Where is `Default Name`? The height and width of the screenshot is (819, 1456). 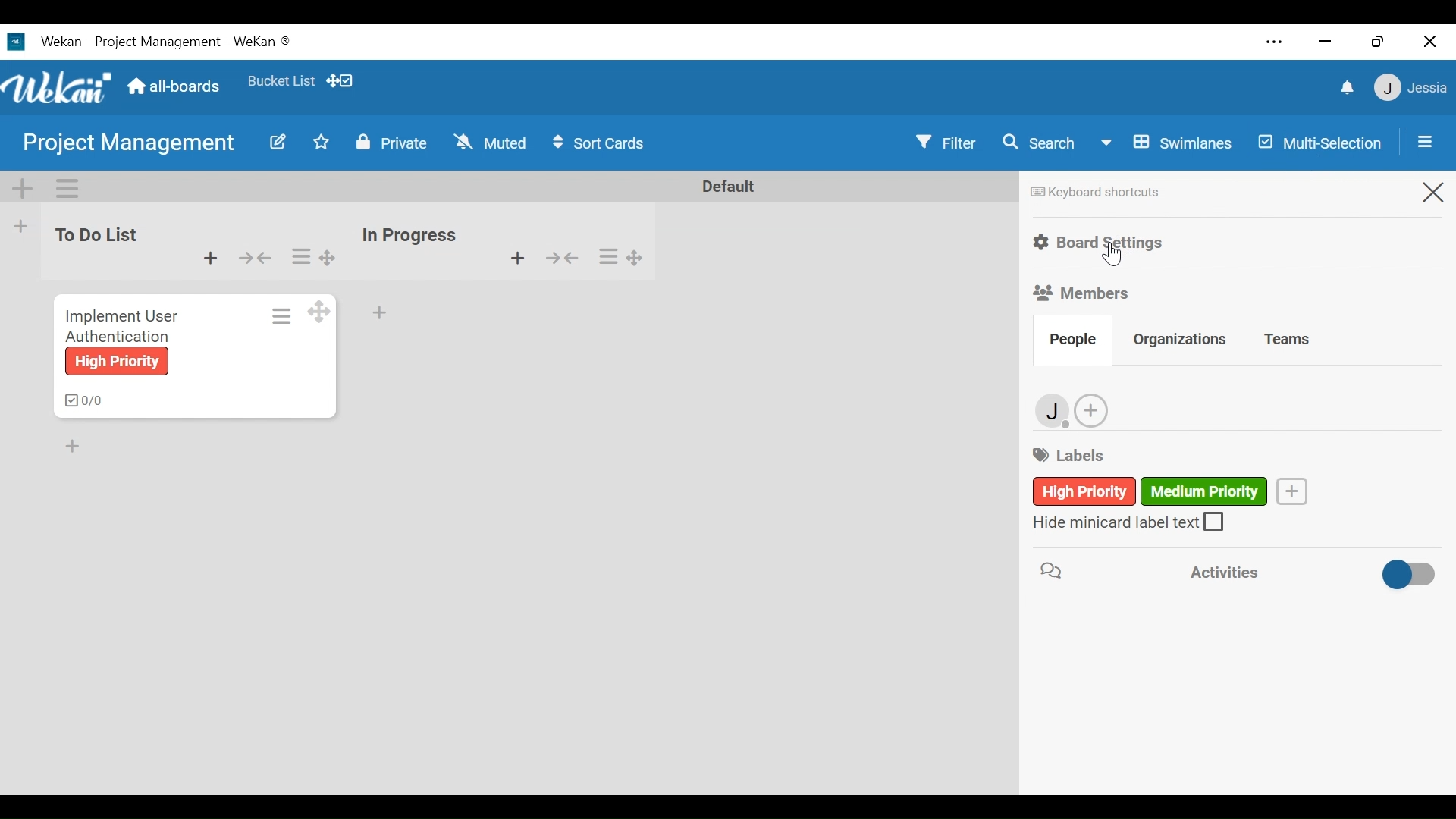 Default Name is located at coordinates (727, 186).